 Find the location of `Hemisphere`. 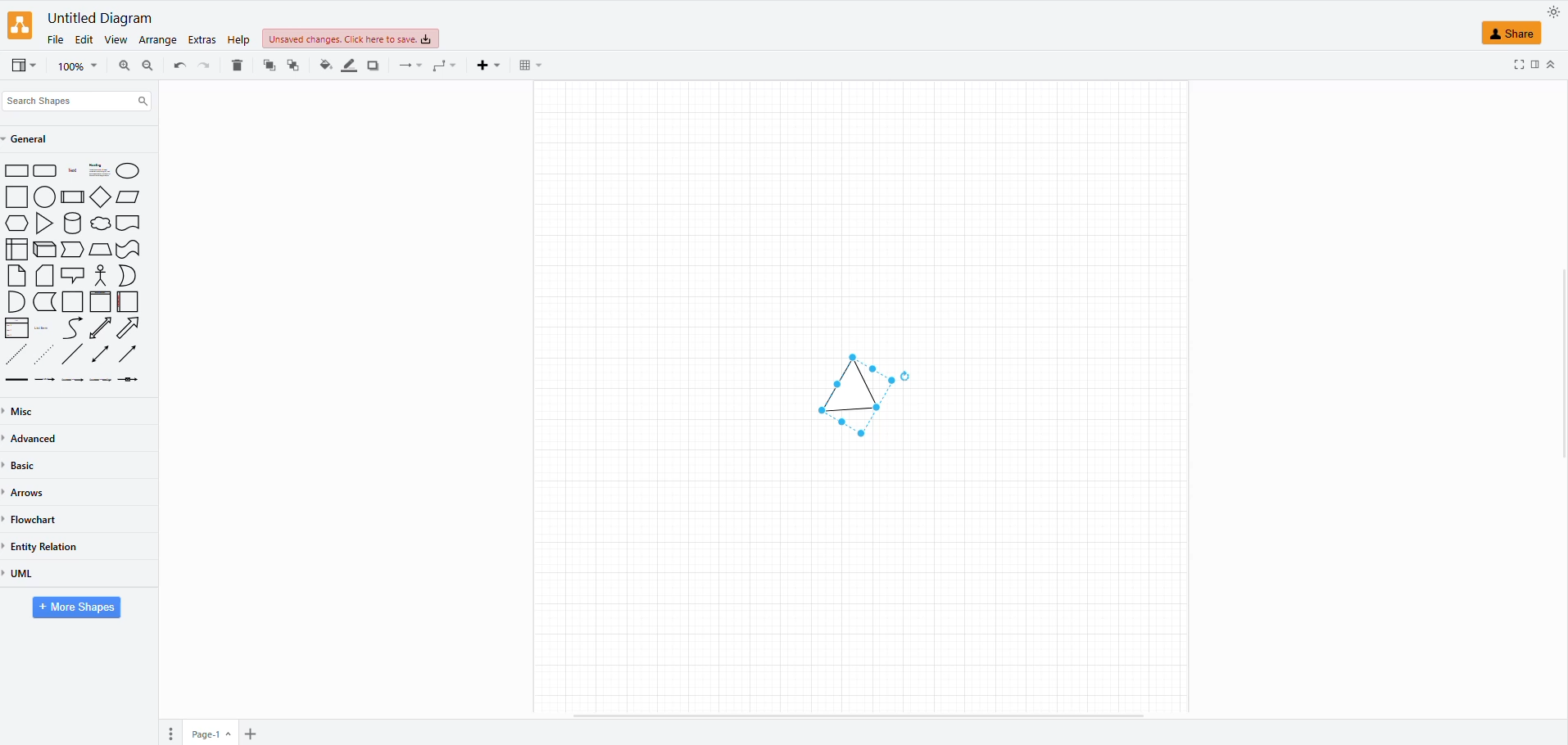

Hemisphere is located at coordinates (15, 301).